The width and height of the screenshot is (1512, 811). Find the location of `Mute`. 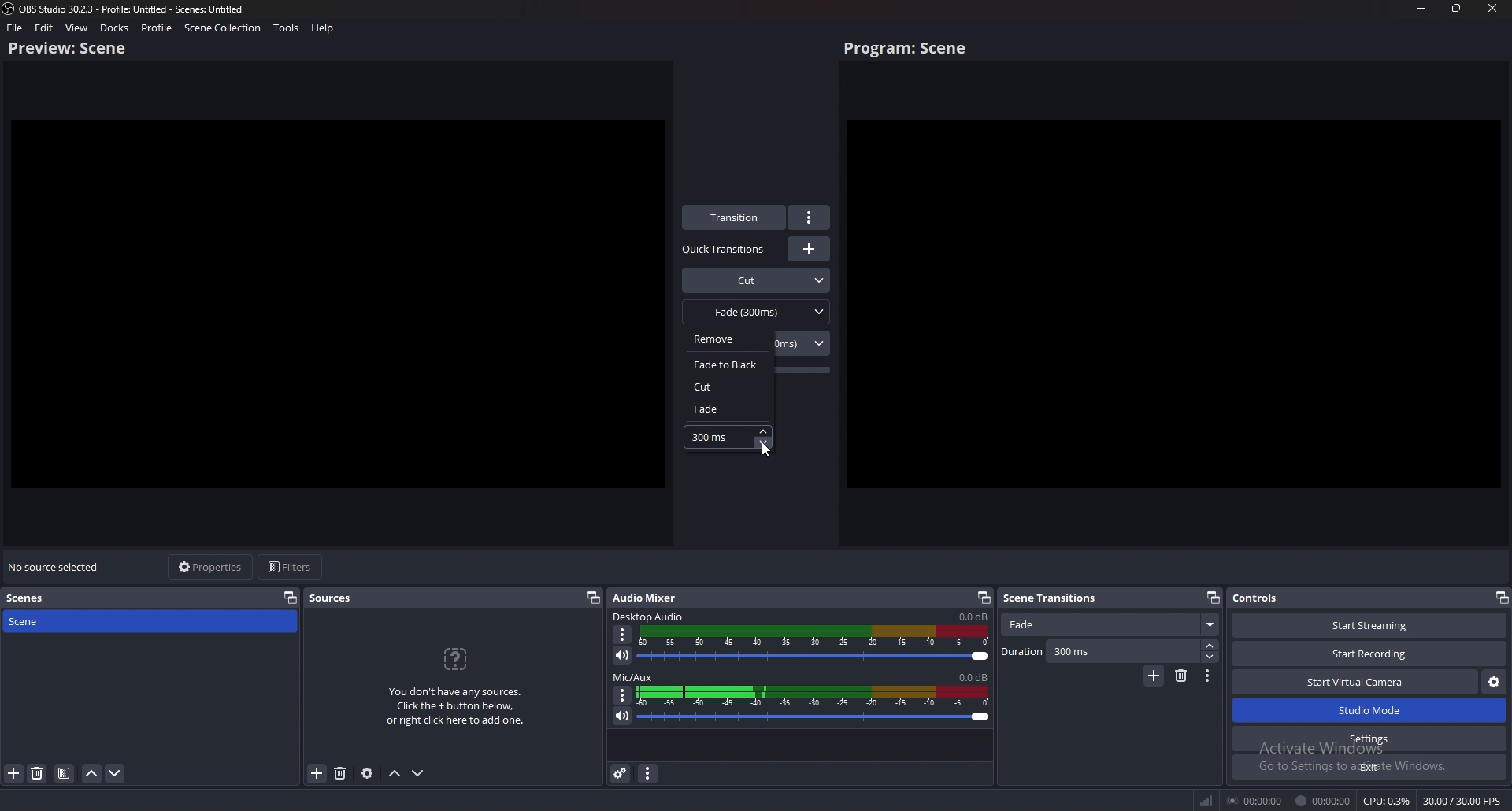

Mute is located at coordinates (624, 656).